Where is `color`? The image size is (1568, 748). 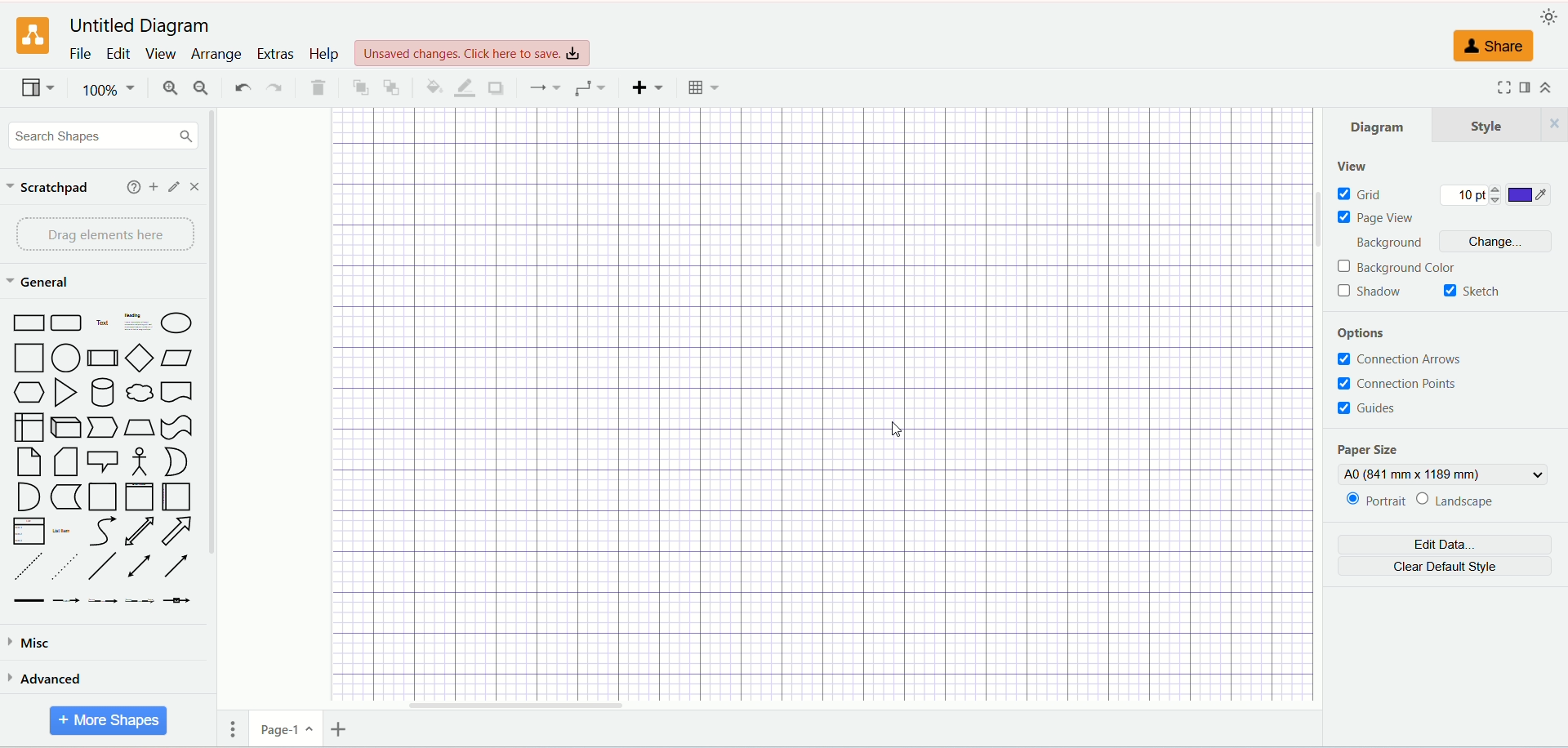
color is located at coordinates (1530, 196).